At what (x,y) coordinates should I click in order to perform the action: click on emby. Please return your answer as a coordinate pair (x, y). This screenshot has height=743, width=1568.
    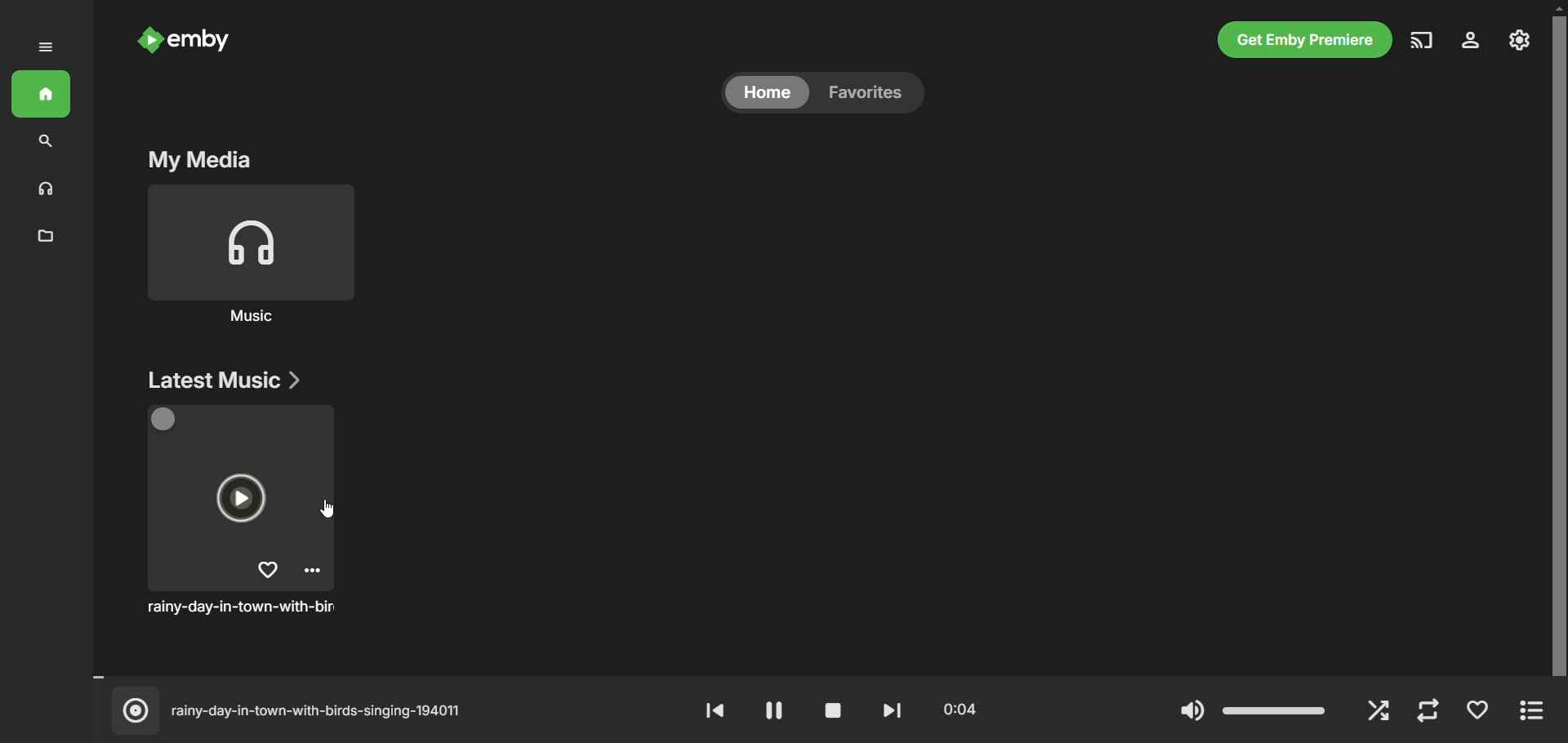
    Looking at the image, I should click on (205, 42).